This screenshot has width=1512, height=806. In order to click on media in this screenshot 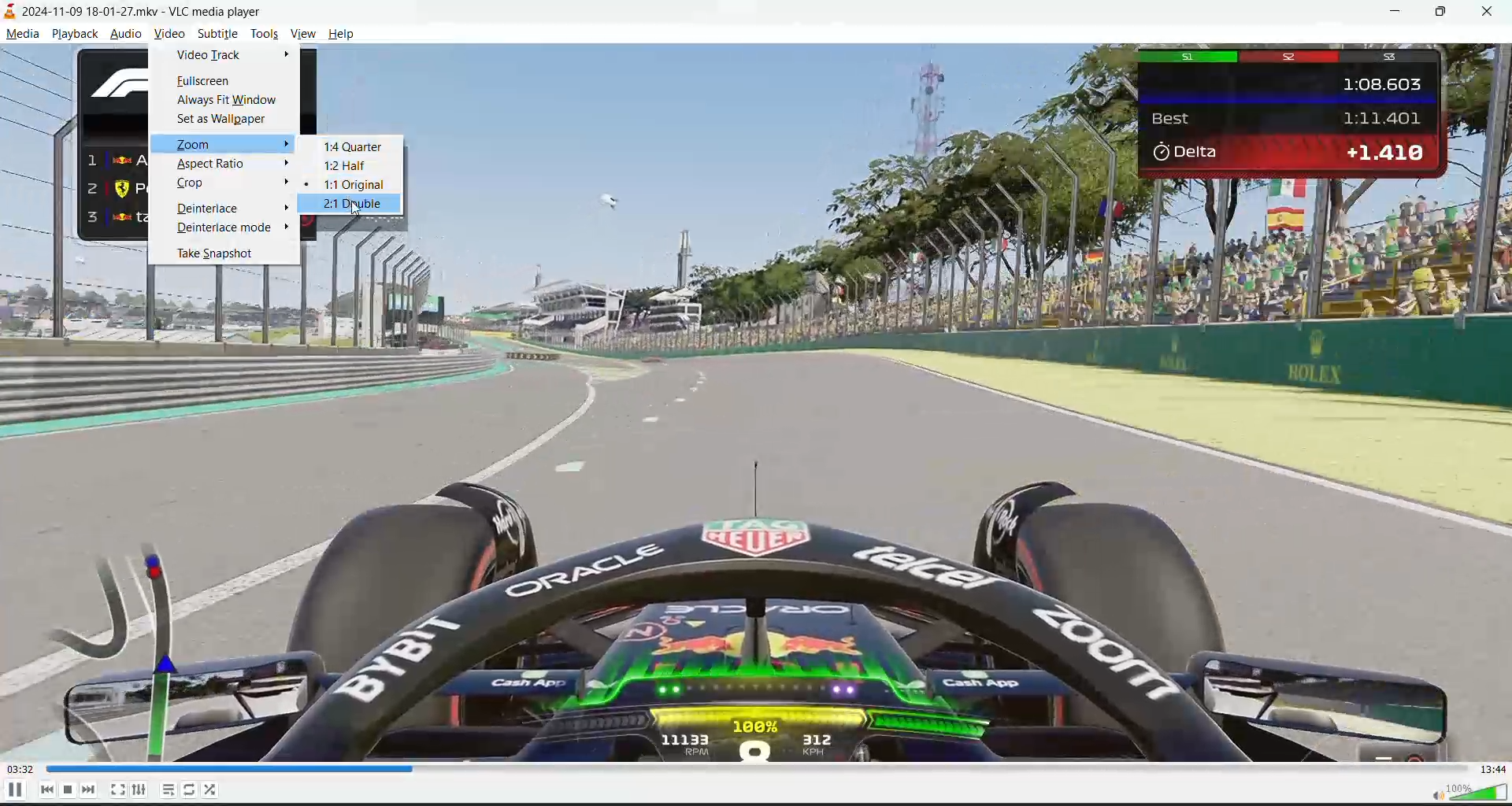, I will do `click(28, 35)`.